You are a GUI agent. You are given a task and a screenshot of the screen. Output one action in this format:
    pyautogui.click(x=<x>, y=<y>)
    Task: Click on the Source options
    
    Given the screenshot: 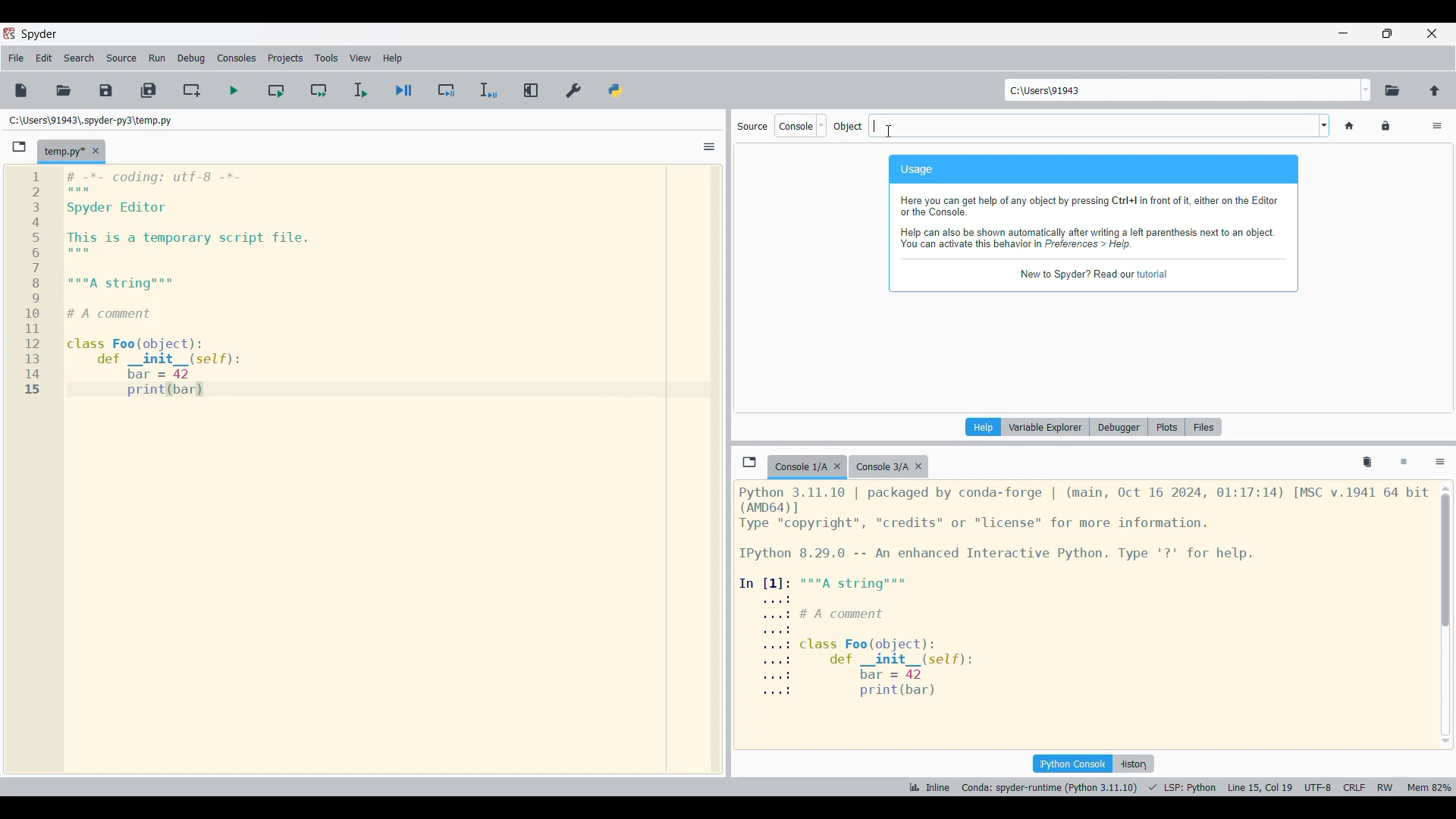 What is the action you would take?
    pyautogui.click(x=801, y=126)
    